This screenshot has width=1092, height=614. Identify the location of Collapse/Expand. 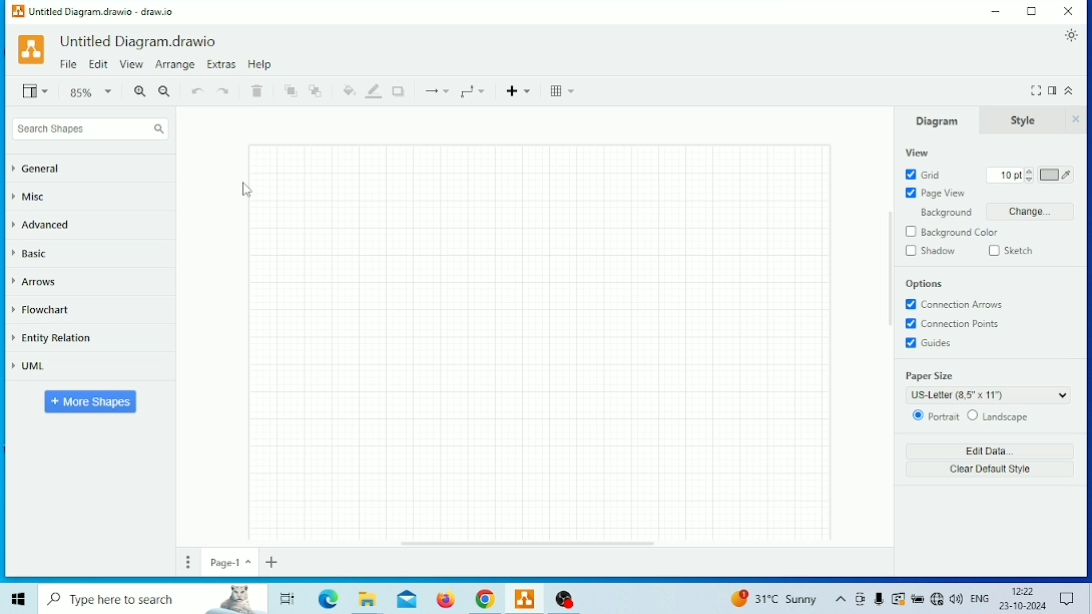
(1069, 90).